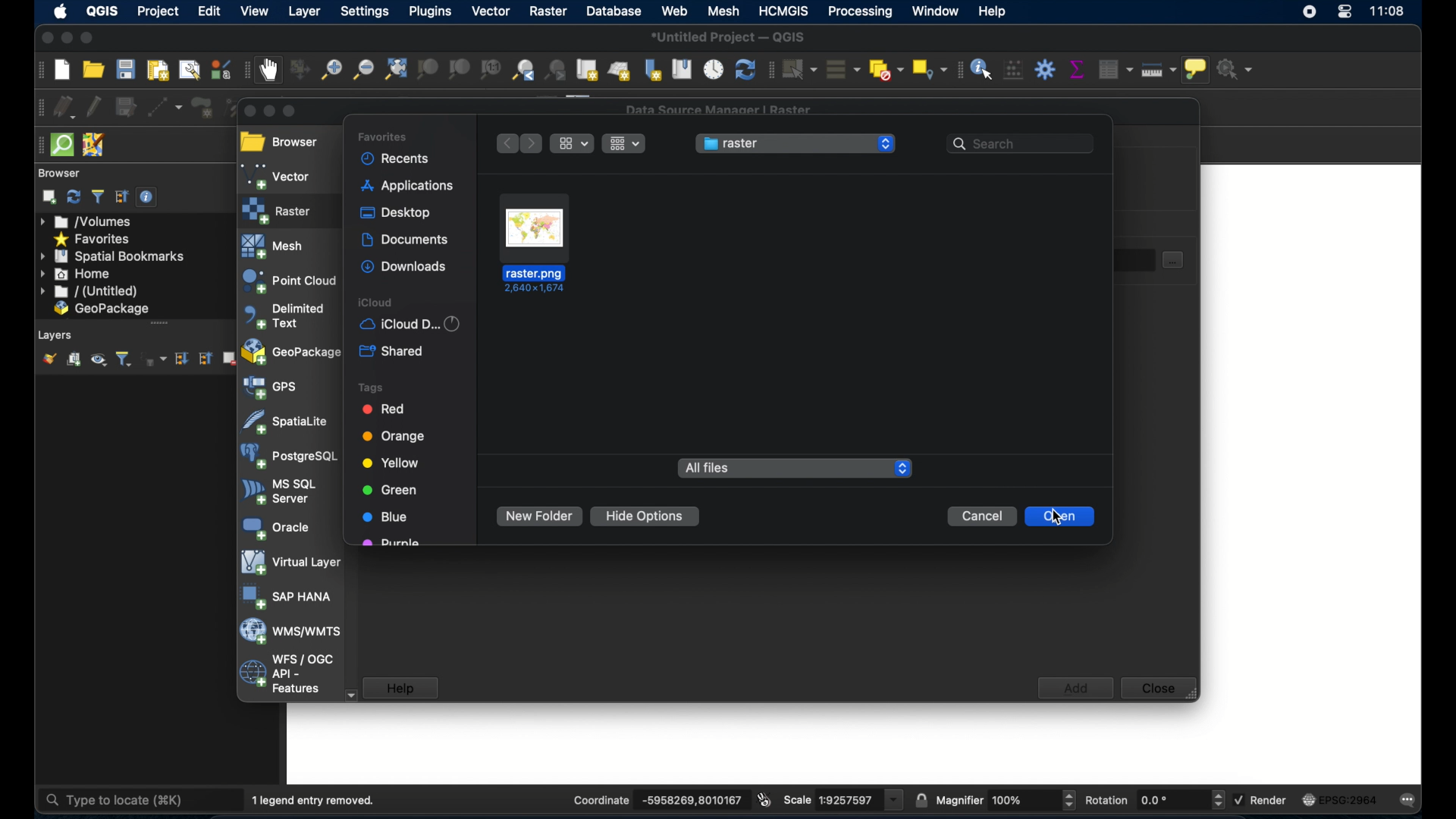  What do you see at coordinates (391, 350) in the screenshot?
I see `shared` at bounding box center [391, 350].